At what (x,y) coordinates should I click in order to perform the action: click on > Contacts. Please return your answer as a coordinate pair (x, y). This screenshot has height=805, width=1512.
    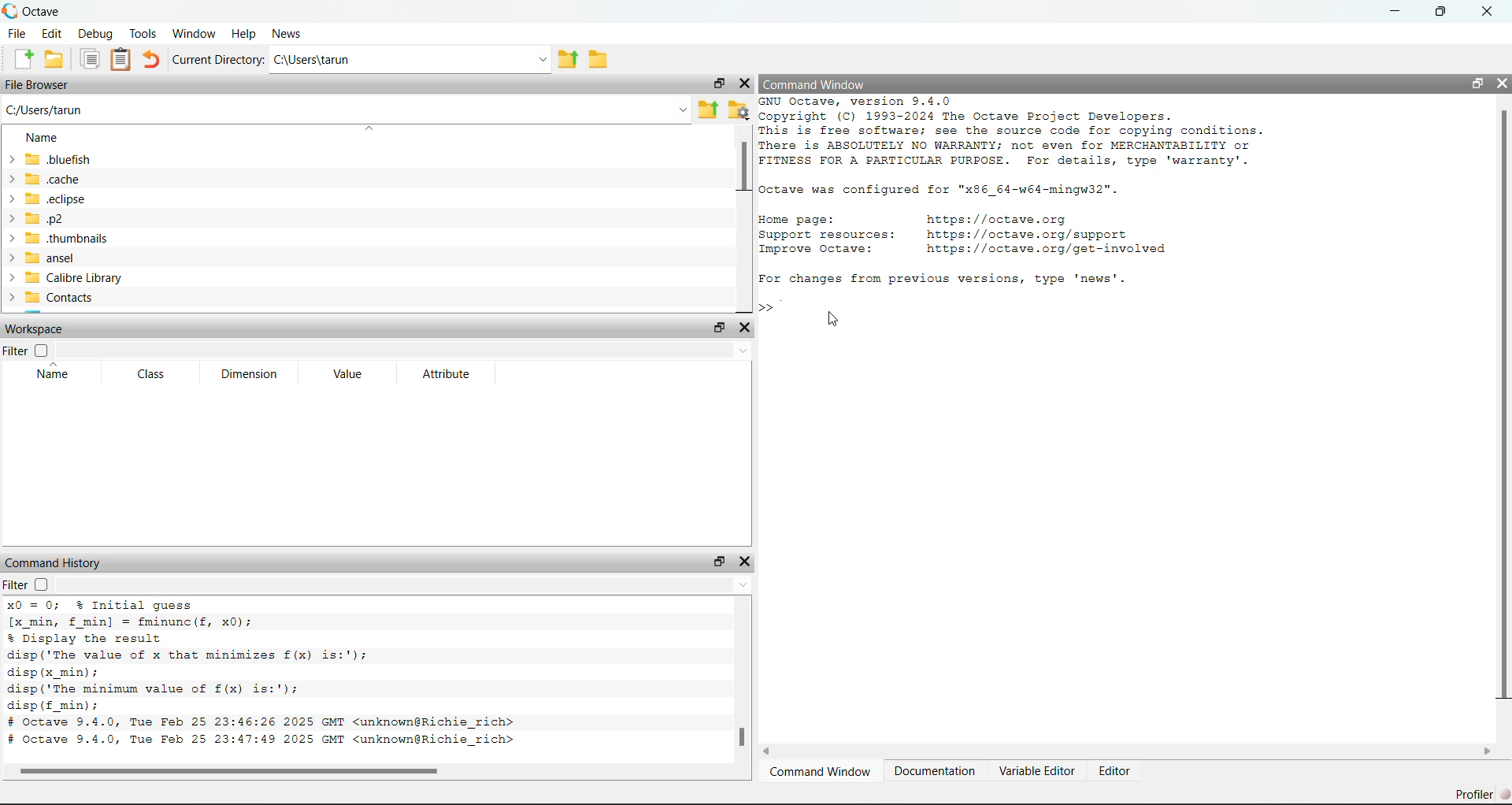
    Looking at the image, I should click on (55, 298).